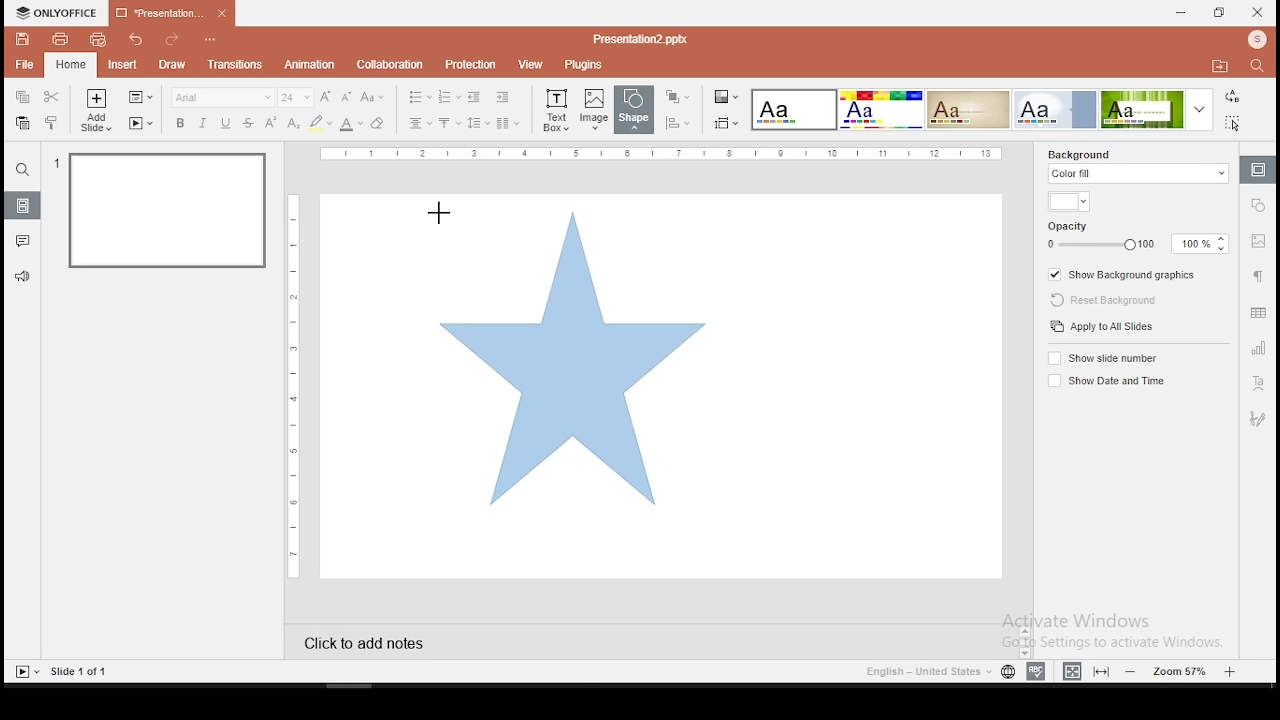 The image size is (1280, 720). What do you see at coordinates (328, 98) in the screenshot?
I see `increase font size` at bounding box center [328, 98].